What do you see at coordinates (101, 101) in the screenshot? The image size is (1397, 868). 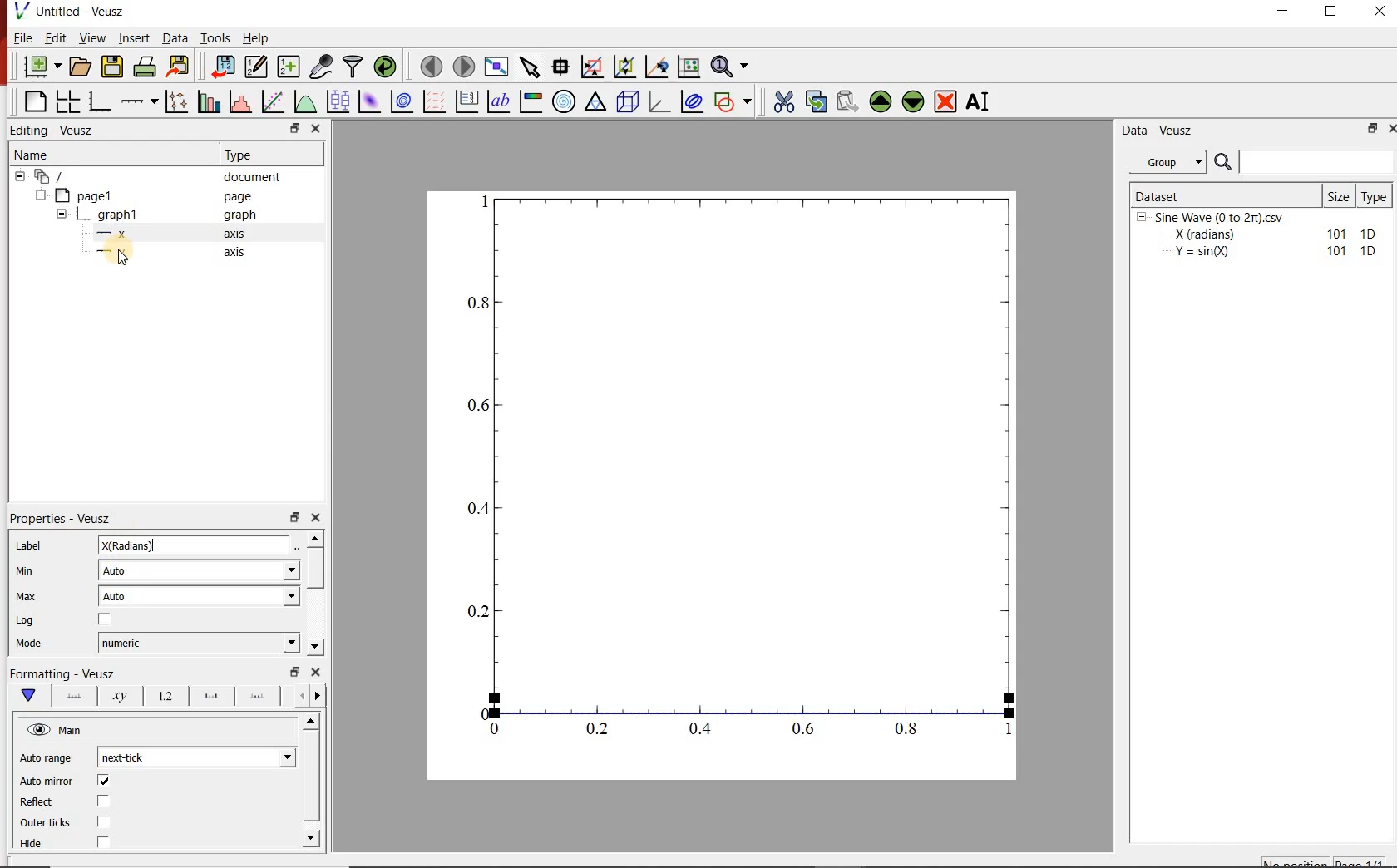 I see `Base graph` at bounding box center [101, 101].